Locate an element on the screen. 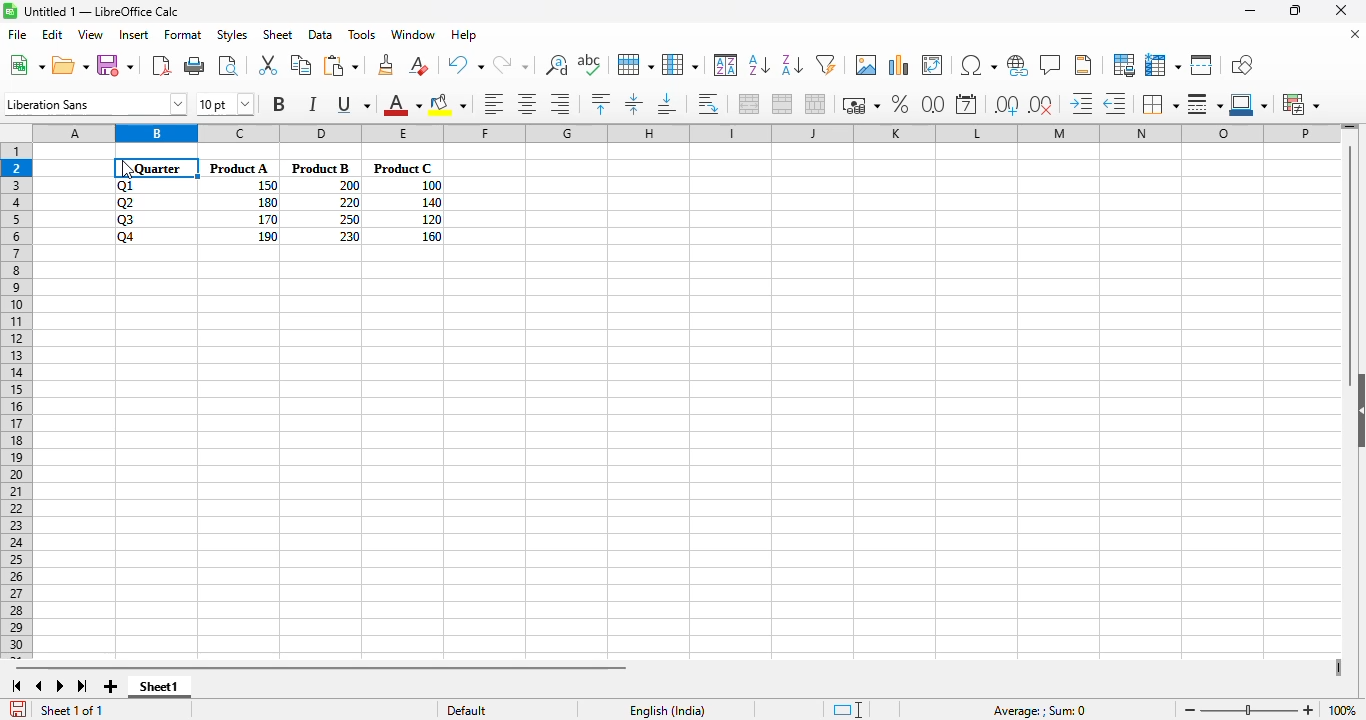 The image size is (1366, 720). insert hyperlink is located at coordinates (1018, 66).